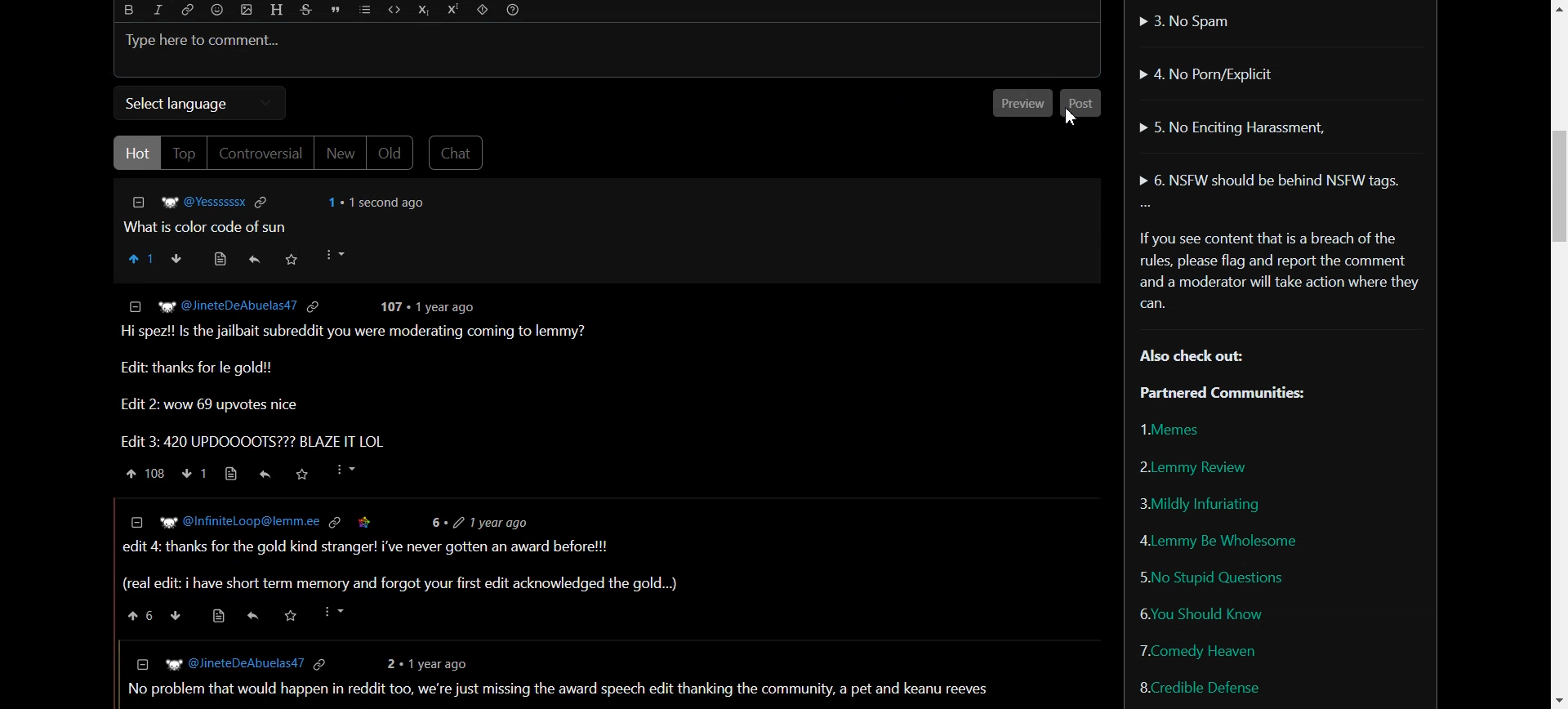  I want to click on Memes, so click(1181, 430).